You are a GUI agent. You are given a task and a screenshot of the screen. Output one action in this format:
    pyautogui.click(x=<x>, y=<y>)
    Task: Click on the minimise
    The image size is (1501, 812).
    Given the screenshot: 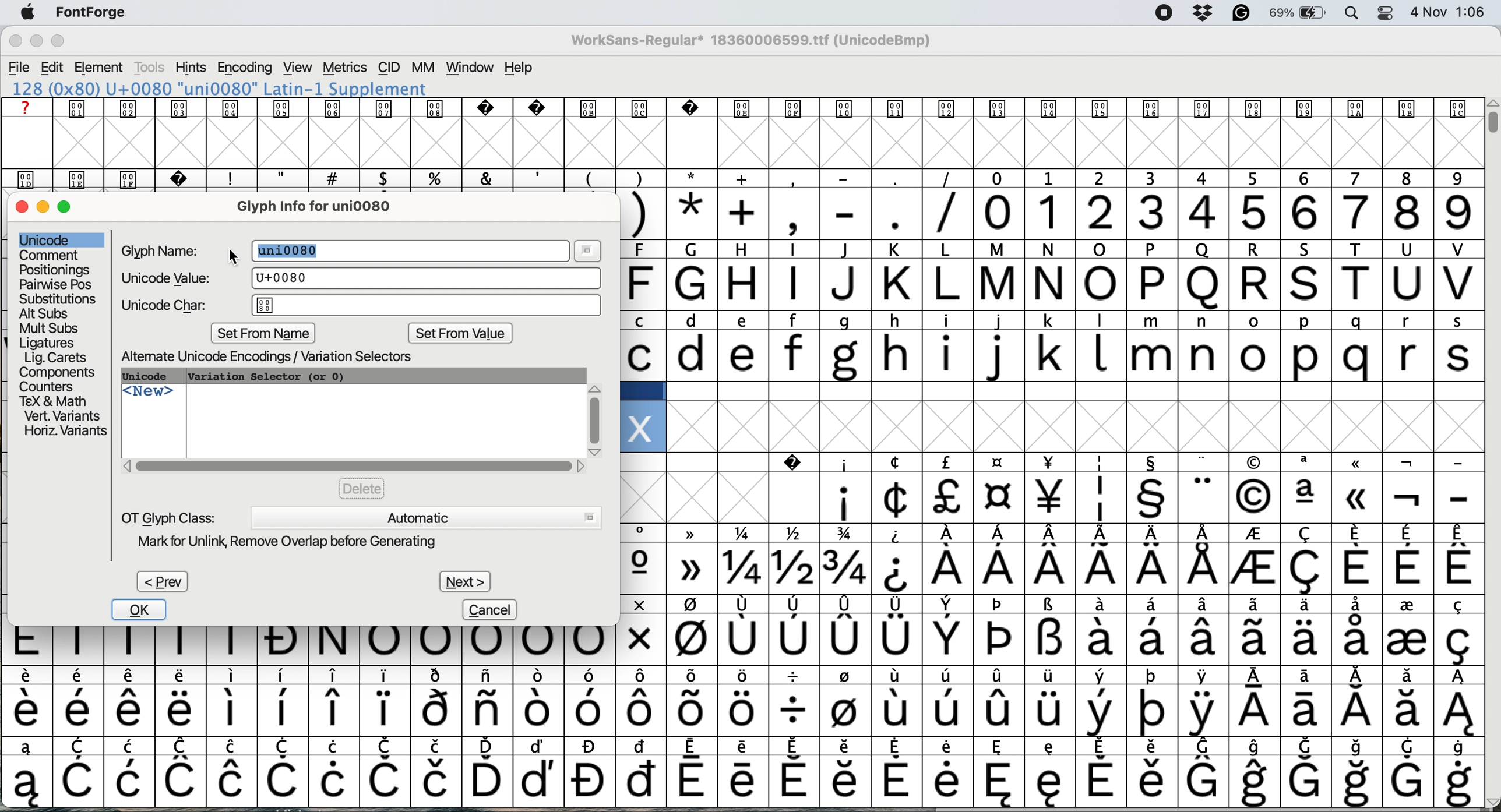 What is the action you would take?
    pyautogui.click(x=35, y=43)
    